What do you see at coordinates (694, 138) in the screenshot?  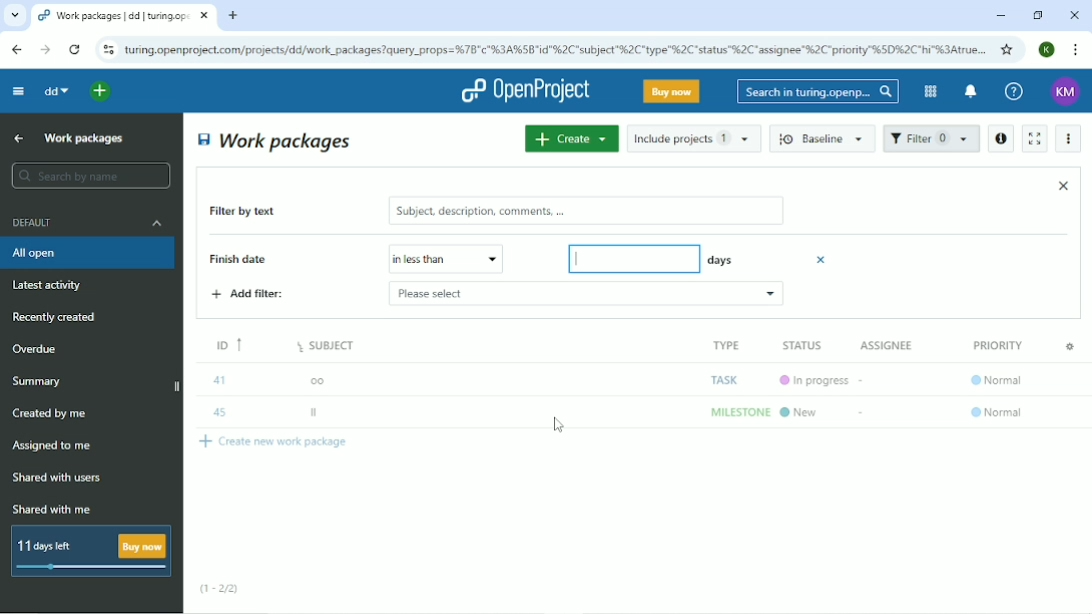 I see `Include projects 1` at bounding box center [694, 138].